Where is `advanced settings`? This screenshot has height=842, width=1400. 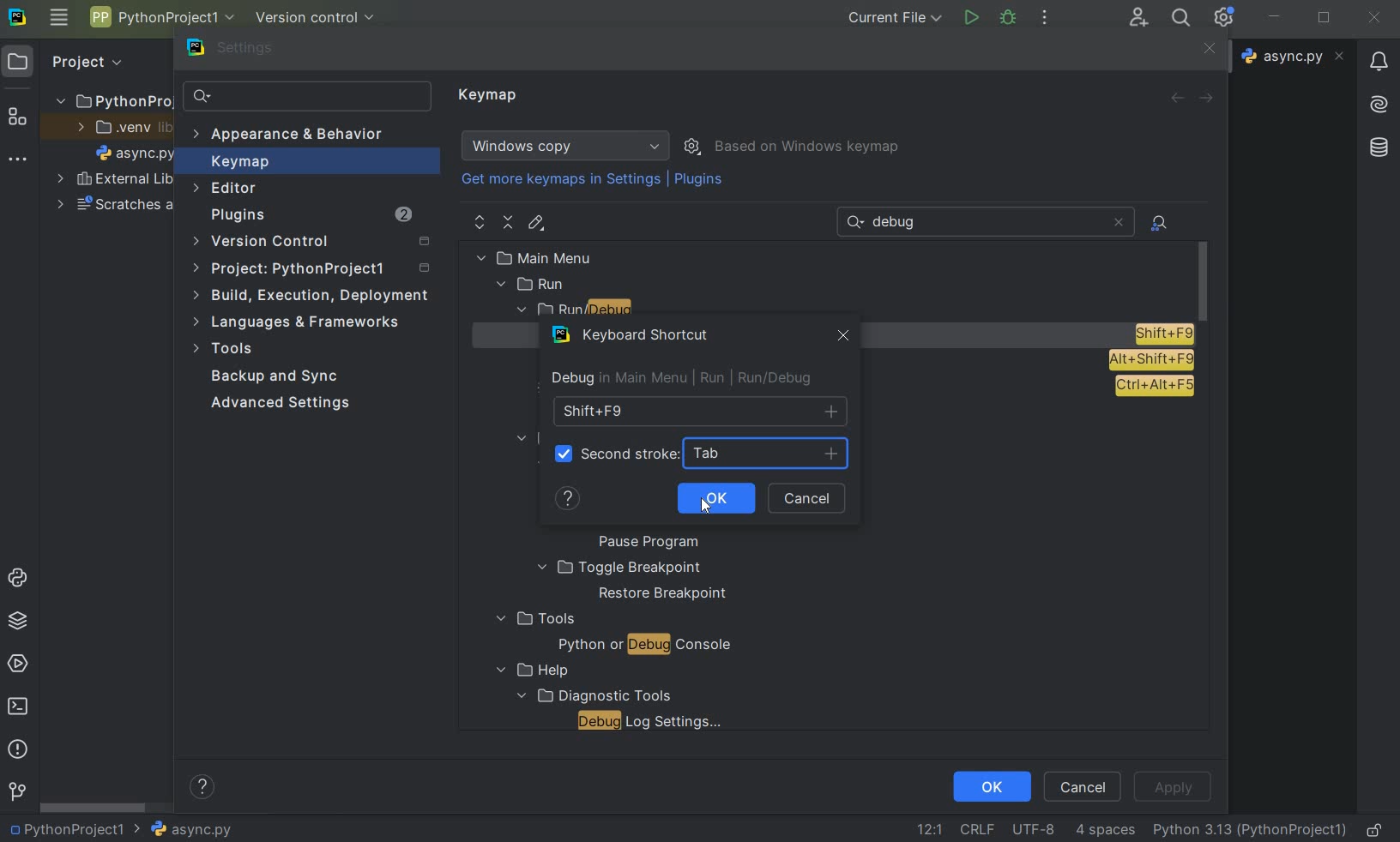
advanced settings is located at coordinates (277, 403).